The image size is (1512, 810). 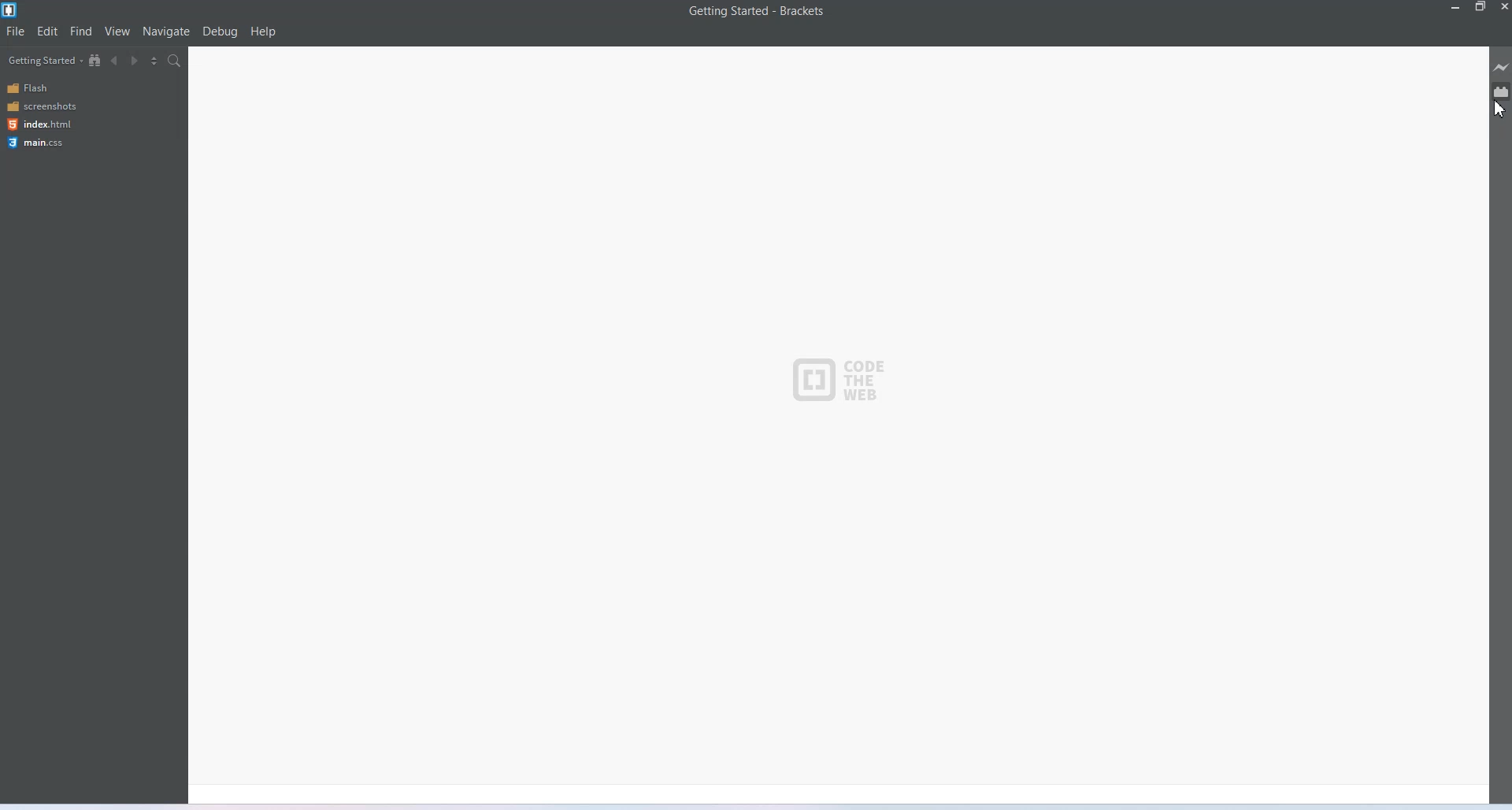 What do you see at coordinates (43, 88) in the screenshot?
I see `Flash` at bounding box center [43, 88].